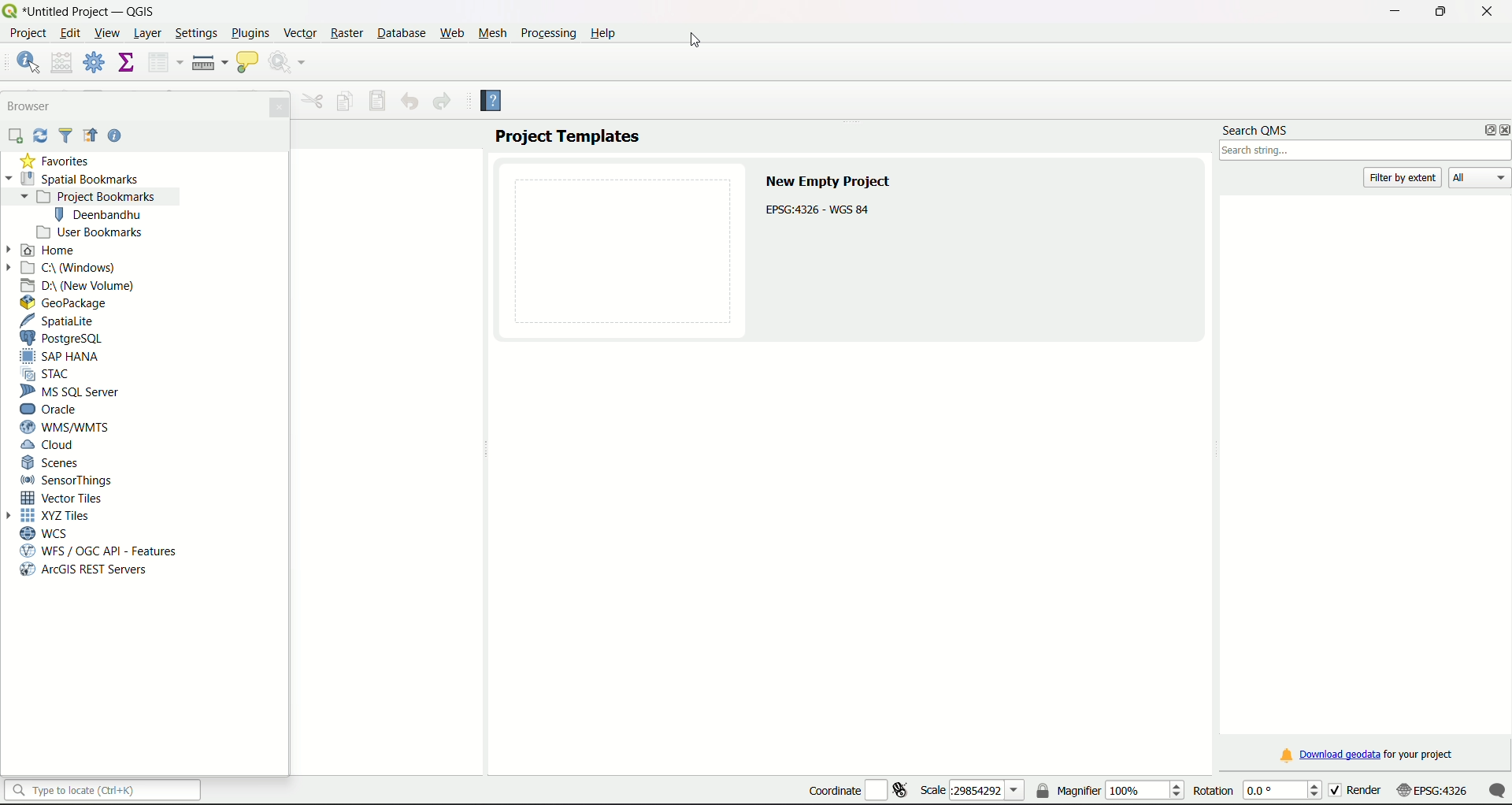 The image size is (1512, 805). What do you see at coordinates (9, 511) in the screenshot?
I see `Arrow` at bounding box center [9, 511].